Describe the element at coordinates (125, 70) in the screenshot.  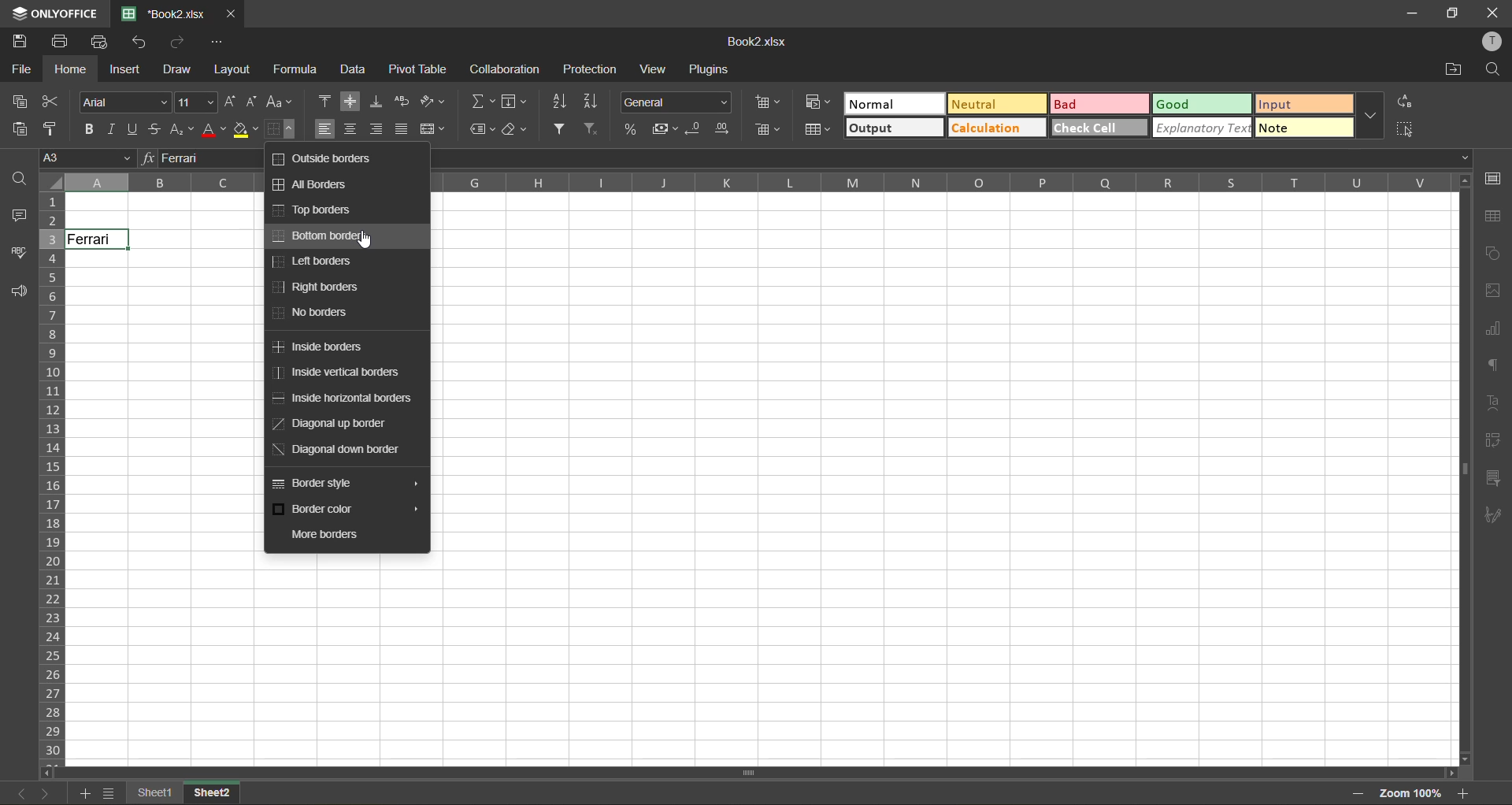
I see `insert` at that location.